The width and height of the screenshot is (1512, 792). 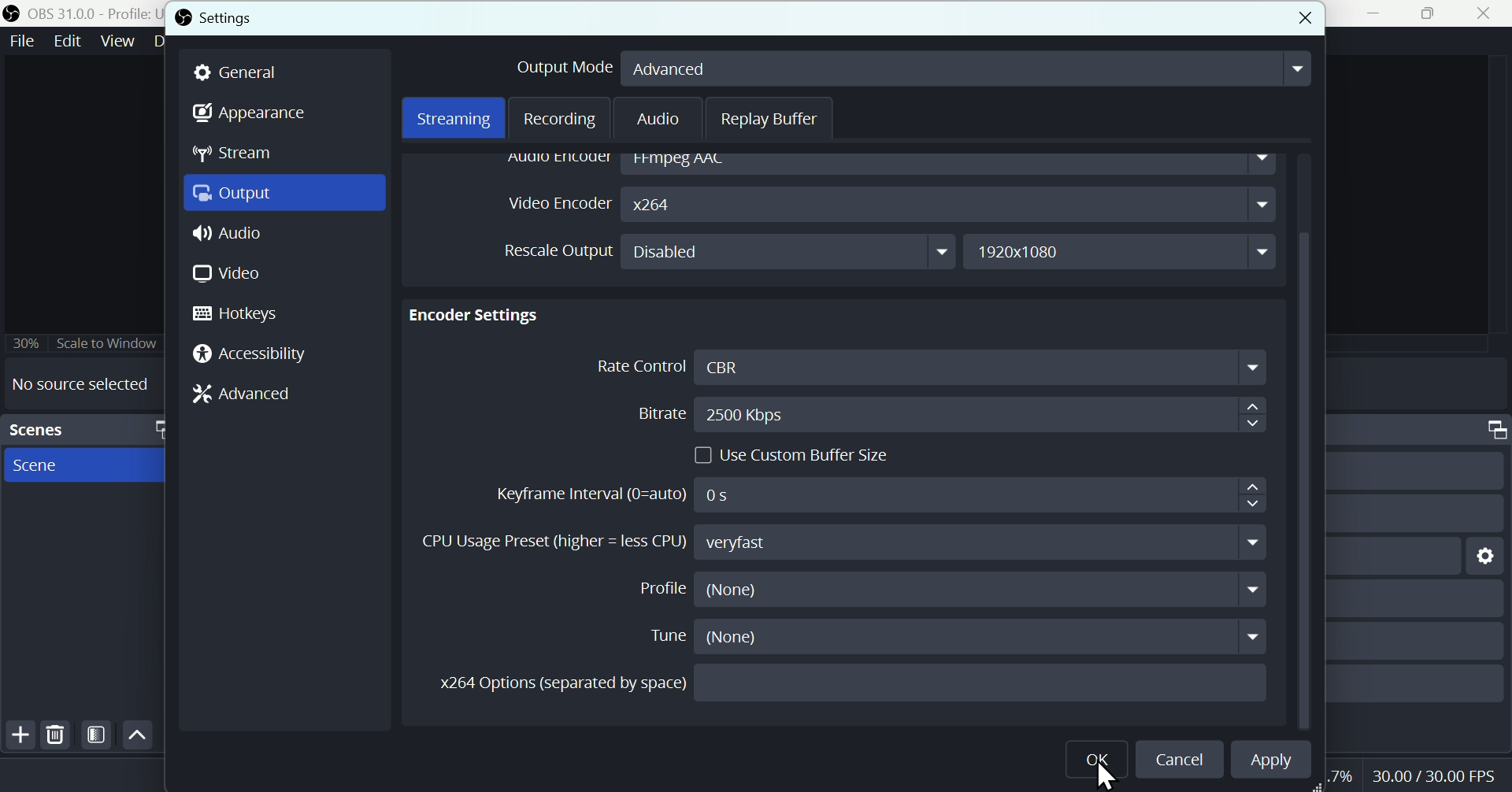 What do you see at coordinates (23, 40) in the screenshot?
I see `File` at bounding box center [23, 40].